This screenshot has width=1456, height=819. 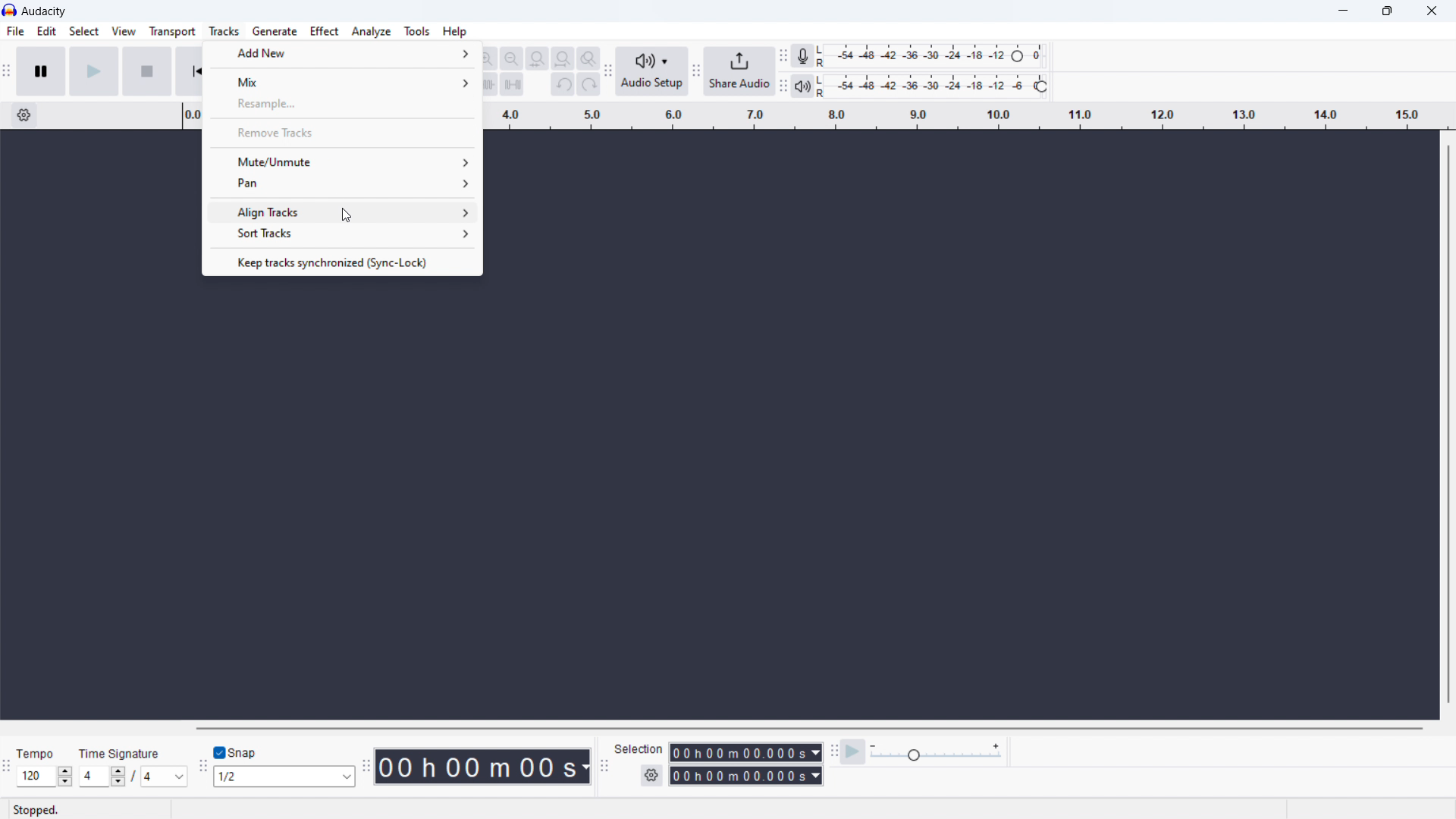 What do you see at coordinates (83, 30) in the screenshot?
I see `select` at bounding box center [83, 30].